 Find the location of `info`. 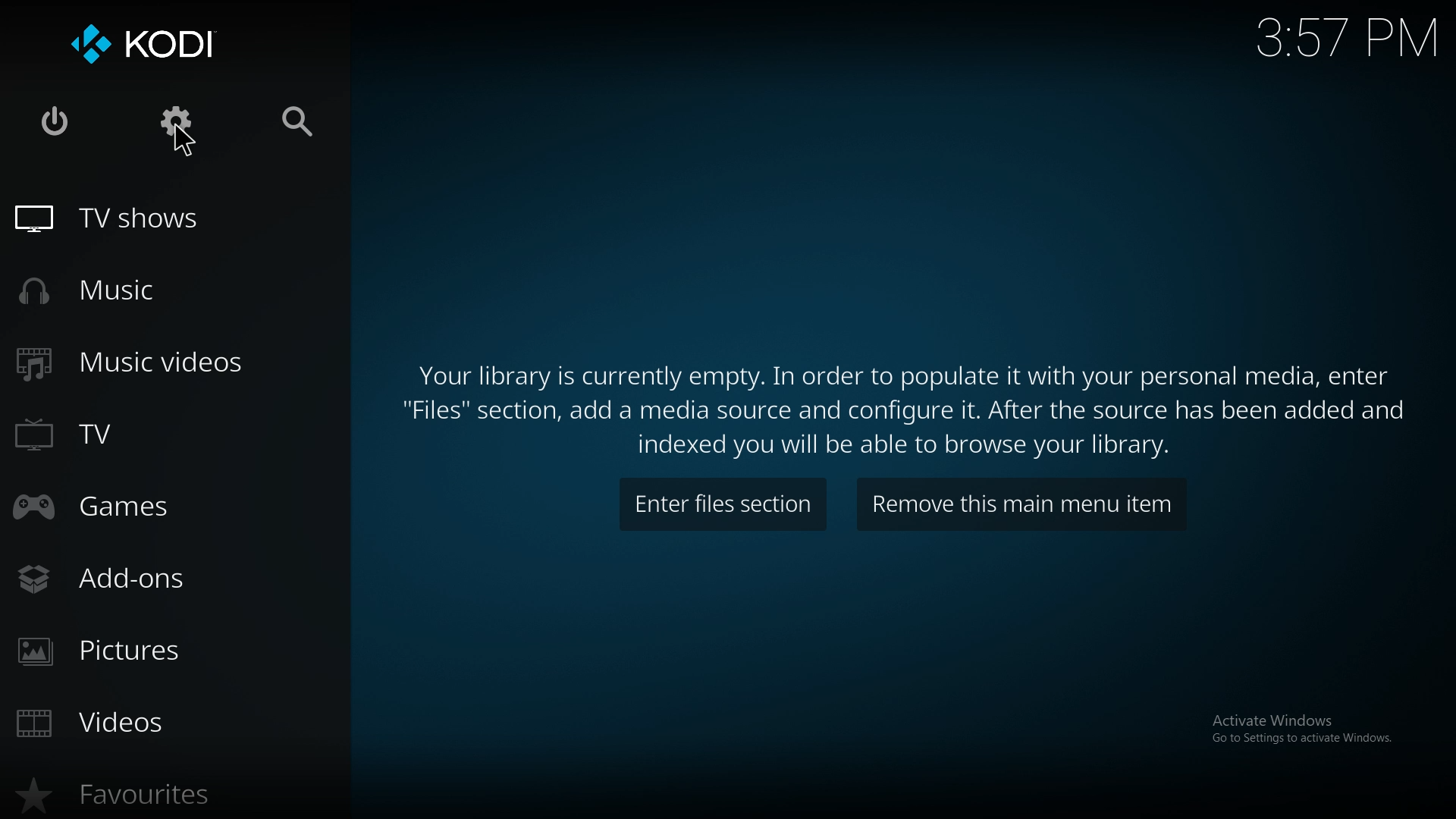

info is located at coordinates (910, 401).